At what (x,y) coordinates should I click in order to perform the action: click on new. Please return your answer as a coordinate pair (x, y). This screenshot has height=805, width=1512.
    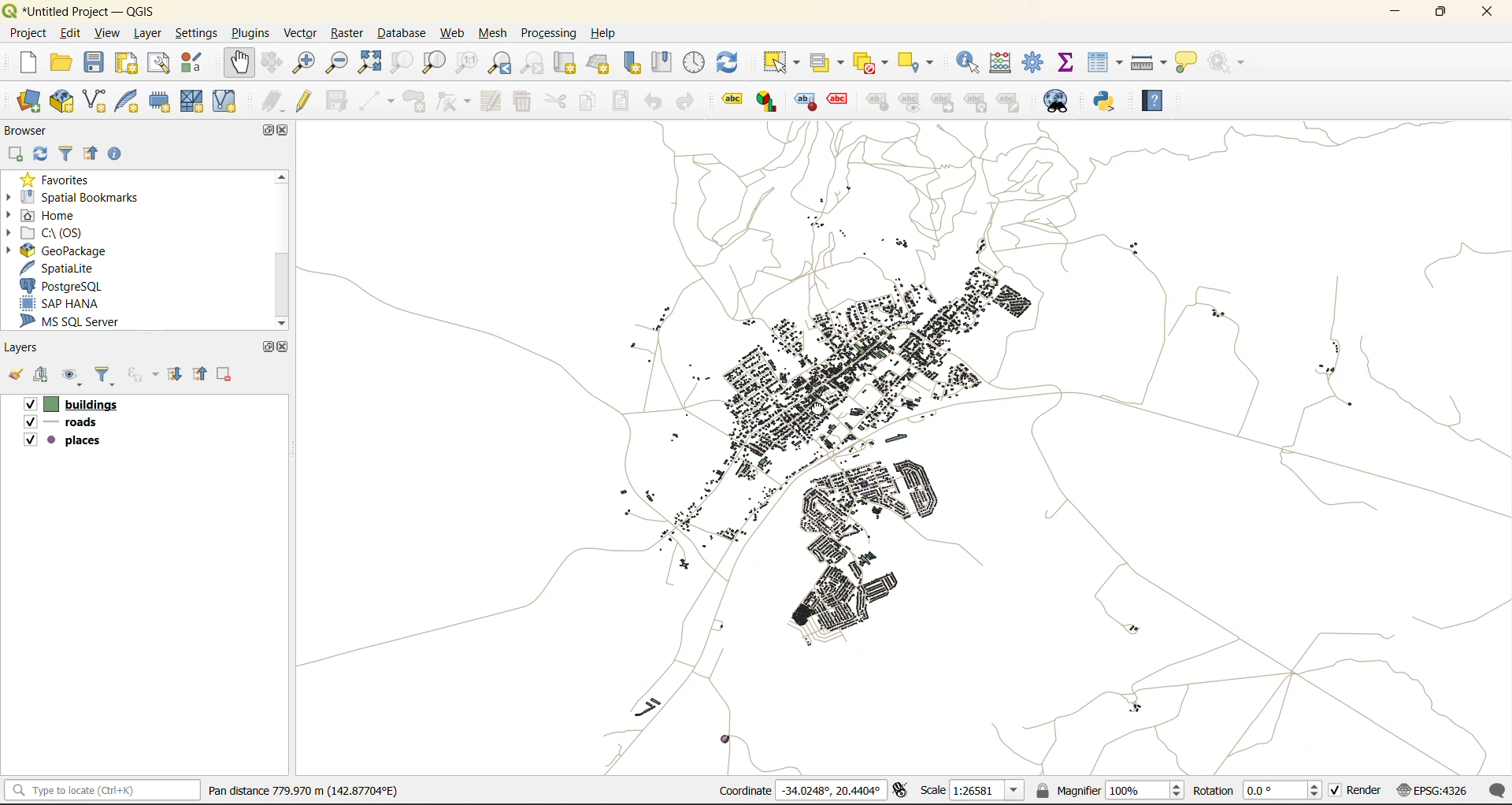
    Looking at the image, I should click on (20, 61).